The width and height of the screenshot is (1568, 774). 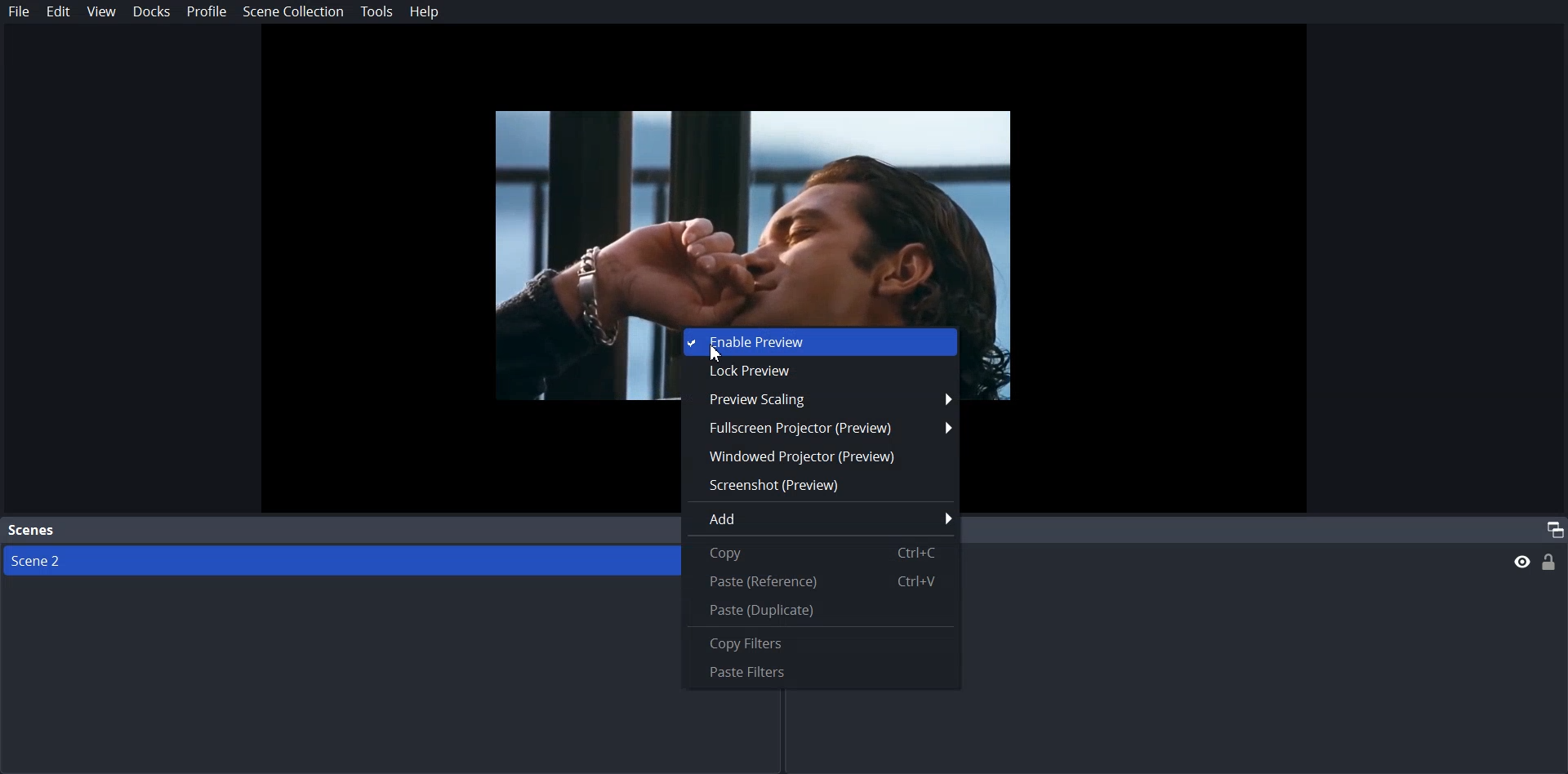 I want to click on Tools, so click(x=376, y=12).